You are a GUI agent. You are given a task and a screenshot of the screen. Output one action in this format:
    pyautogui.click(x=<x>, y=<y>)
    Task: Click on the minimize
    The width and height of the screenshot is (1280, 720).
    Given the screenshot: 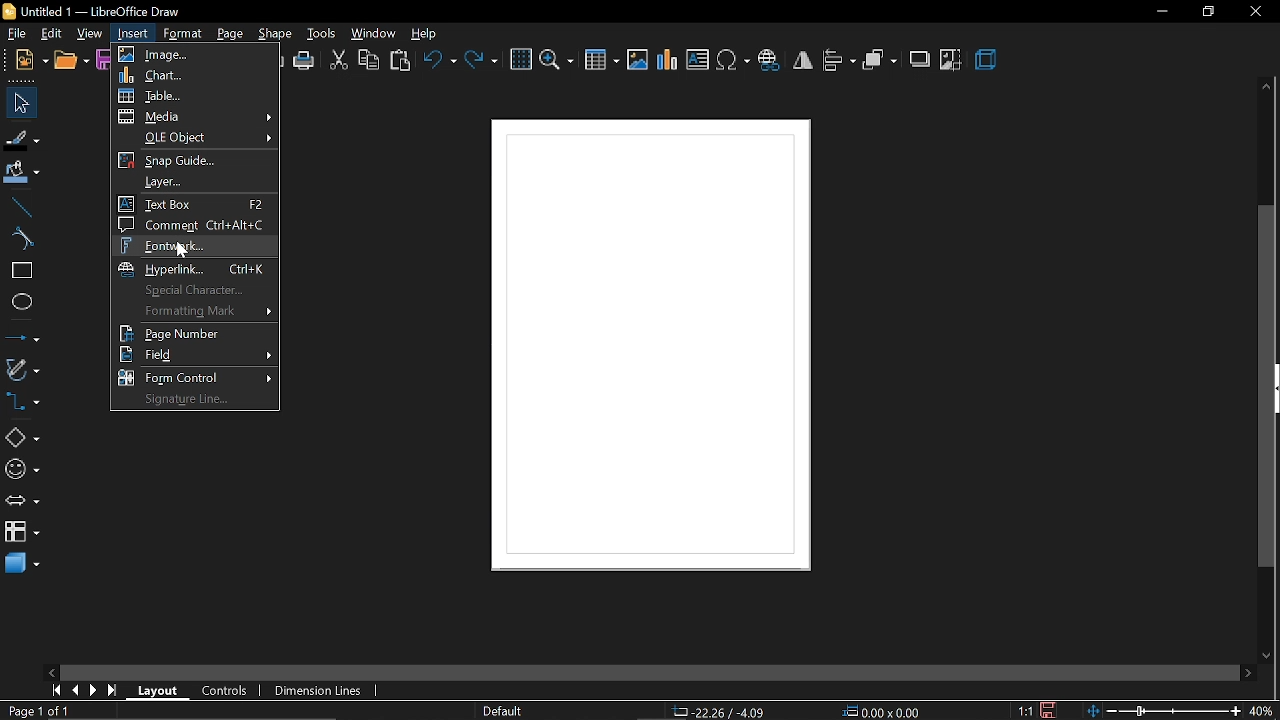 What is the action you would take?
    pyautogui.click(x=1162, y=12)
    